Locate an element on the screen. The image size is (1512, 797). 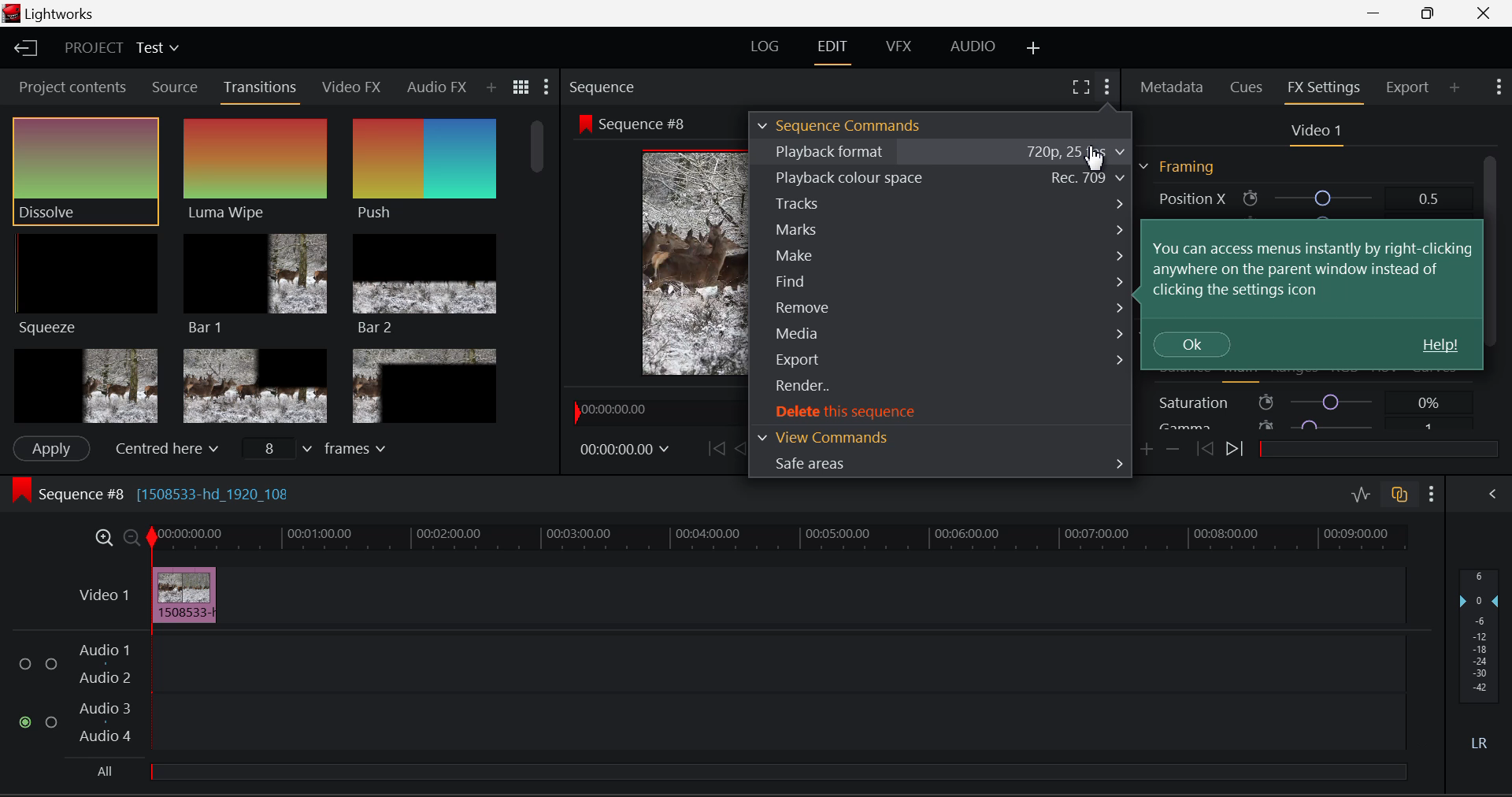
Project Timeline Navigator is located at coordinates (653, 410).